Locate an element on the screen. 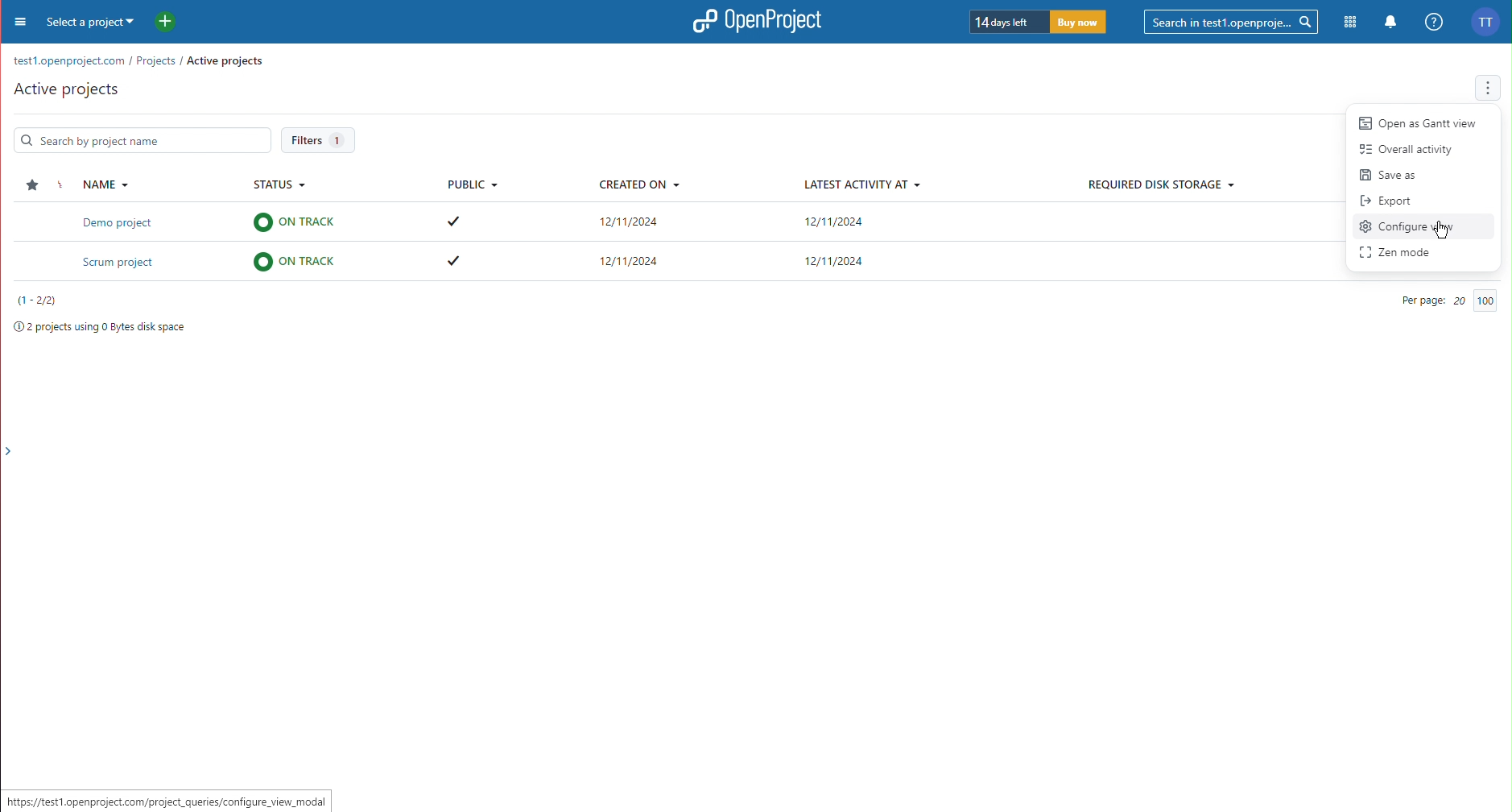 This screenshot has width=1512, height=812. Menu is located at coordinates (16, 22).